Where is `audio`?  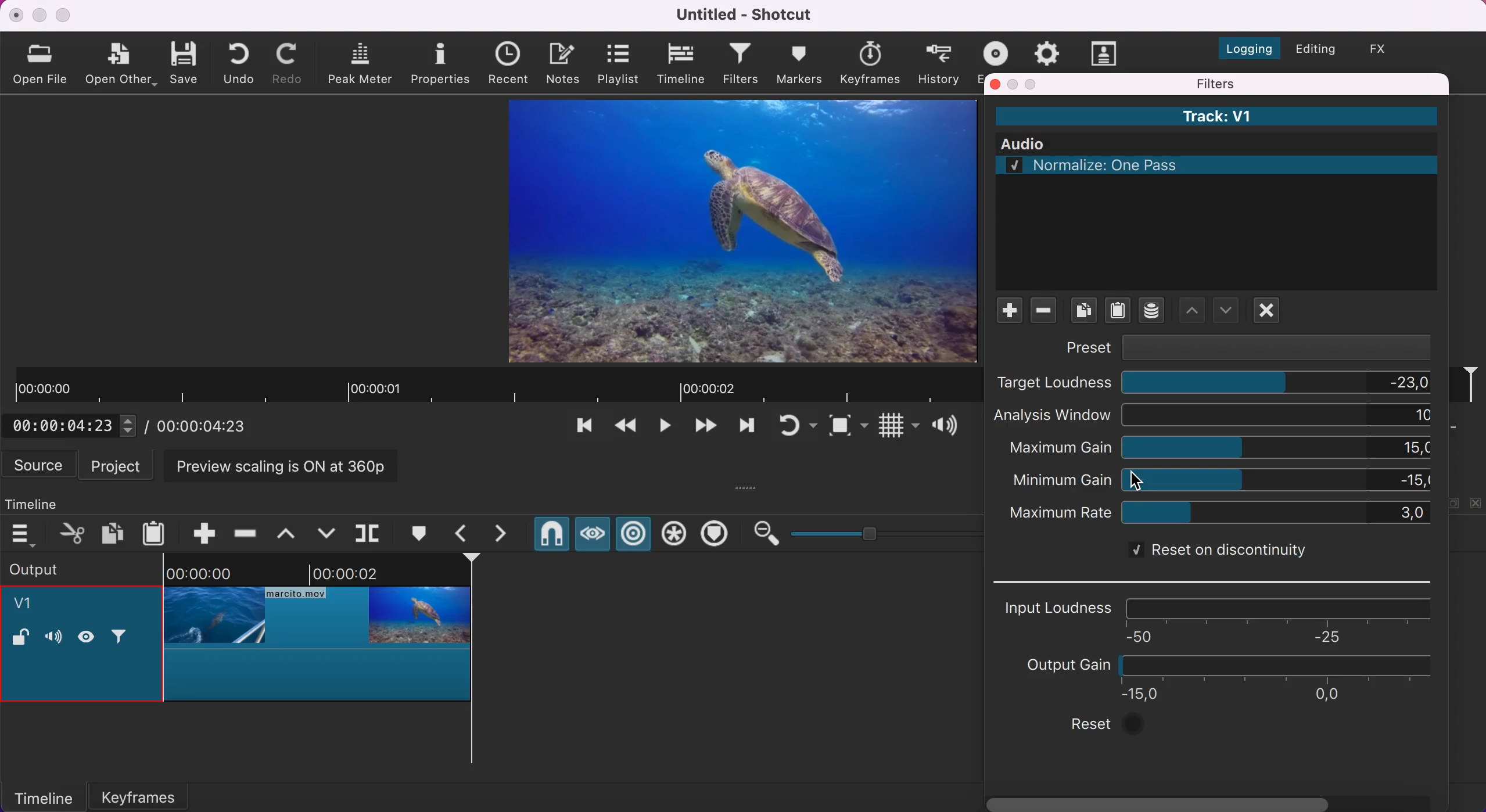 audio is located at coordinates (1223, 145).